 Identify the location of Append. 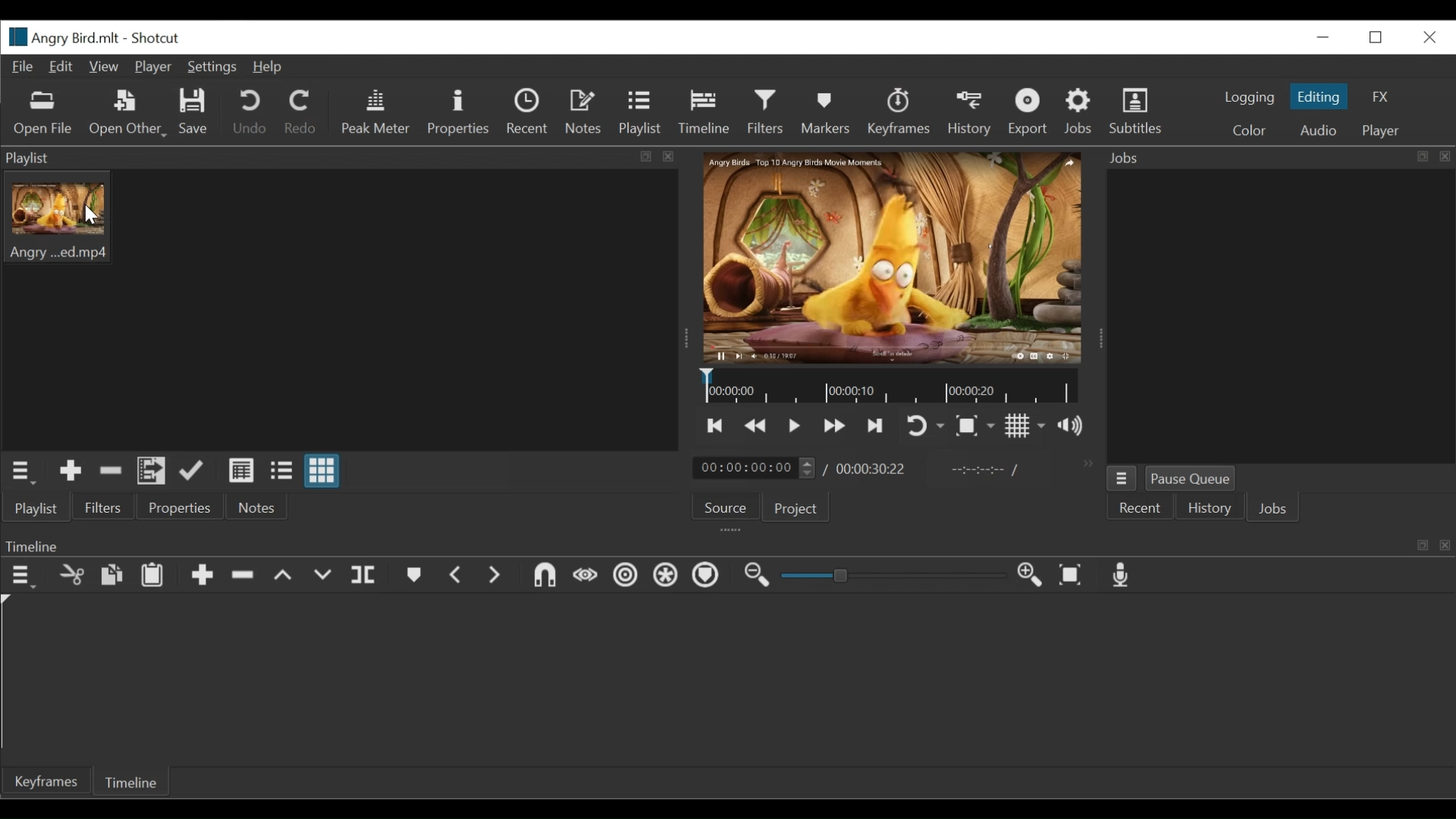
(201, 577).